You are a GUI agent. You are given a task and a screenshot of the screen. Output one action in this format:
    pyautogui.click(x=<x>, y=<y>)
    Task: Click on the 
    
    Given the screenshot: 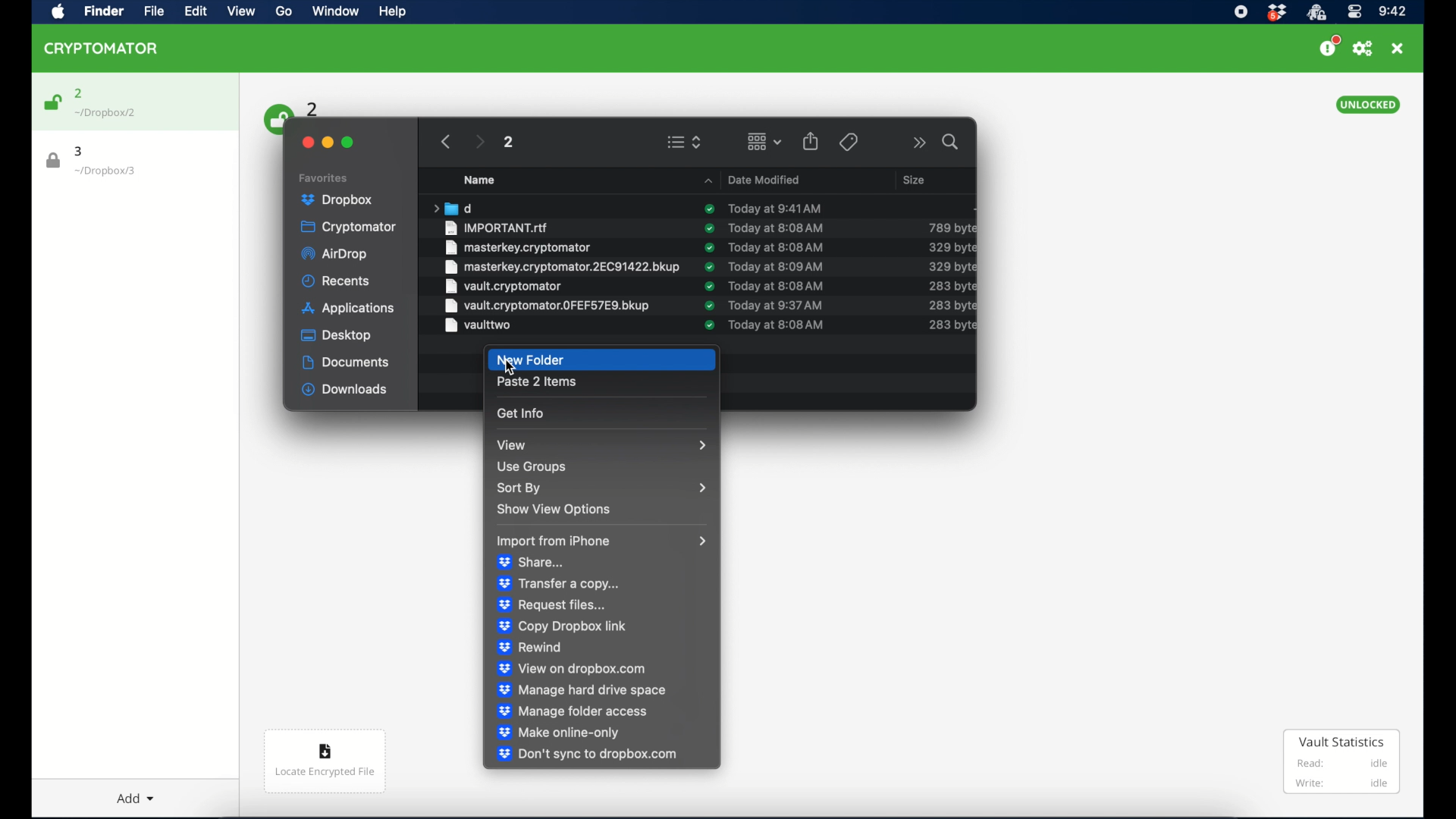 What is the action you would take?
    pyautogui.click(x=775, y=228)
    